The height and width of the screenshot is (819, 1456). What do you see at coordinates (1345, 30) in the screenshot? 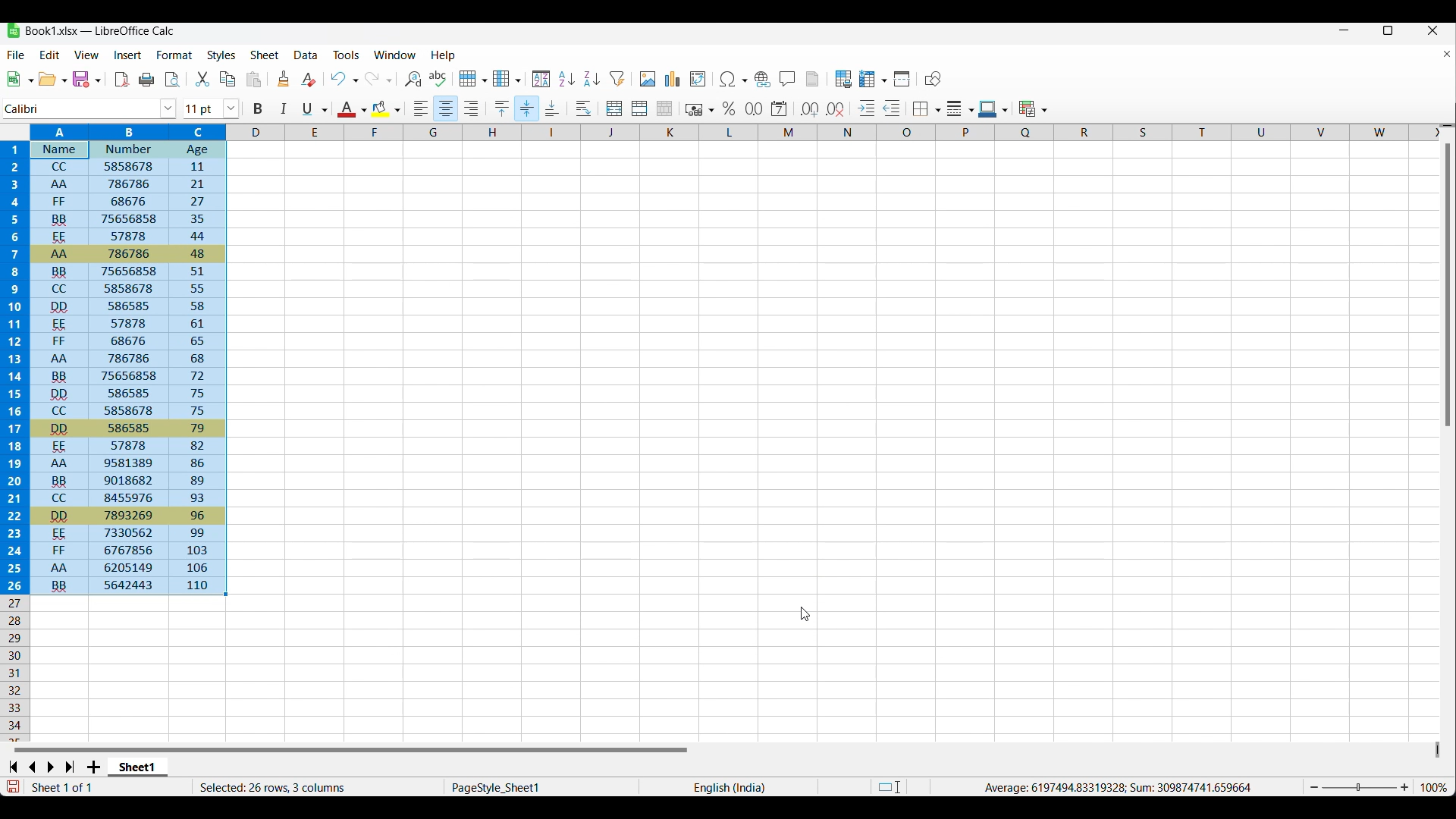
I see `Minimize` at bounding box center [1345, 30].